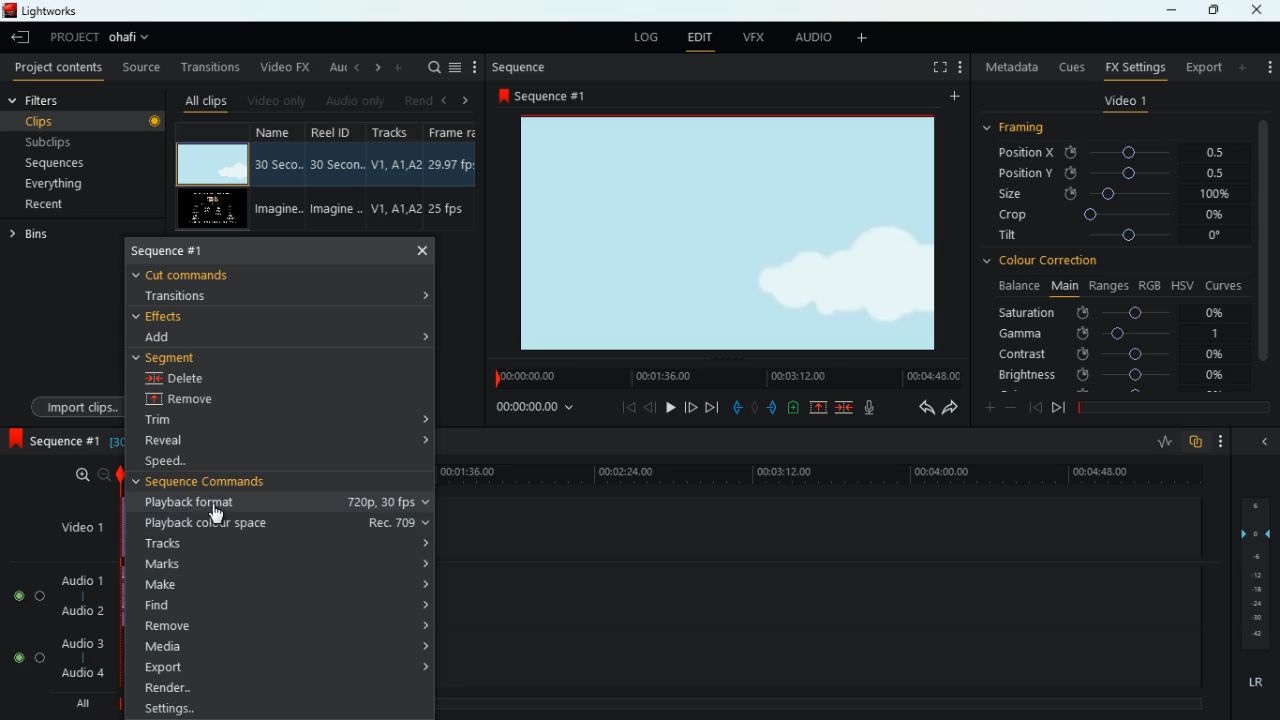 Image resolution: width=1280 pixels, height=720 pixels. I want to click on audio 2, so click(78, 610).